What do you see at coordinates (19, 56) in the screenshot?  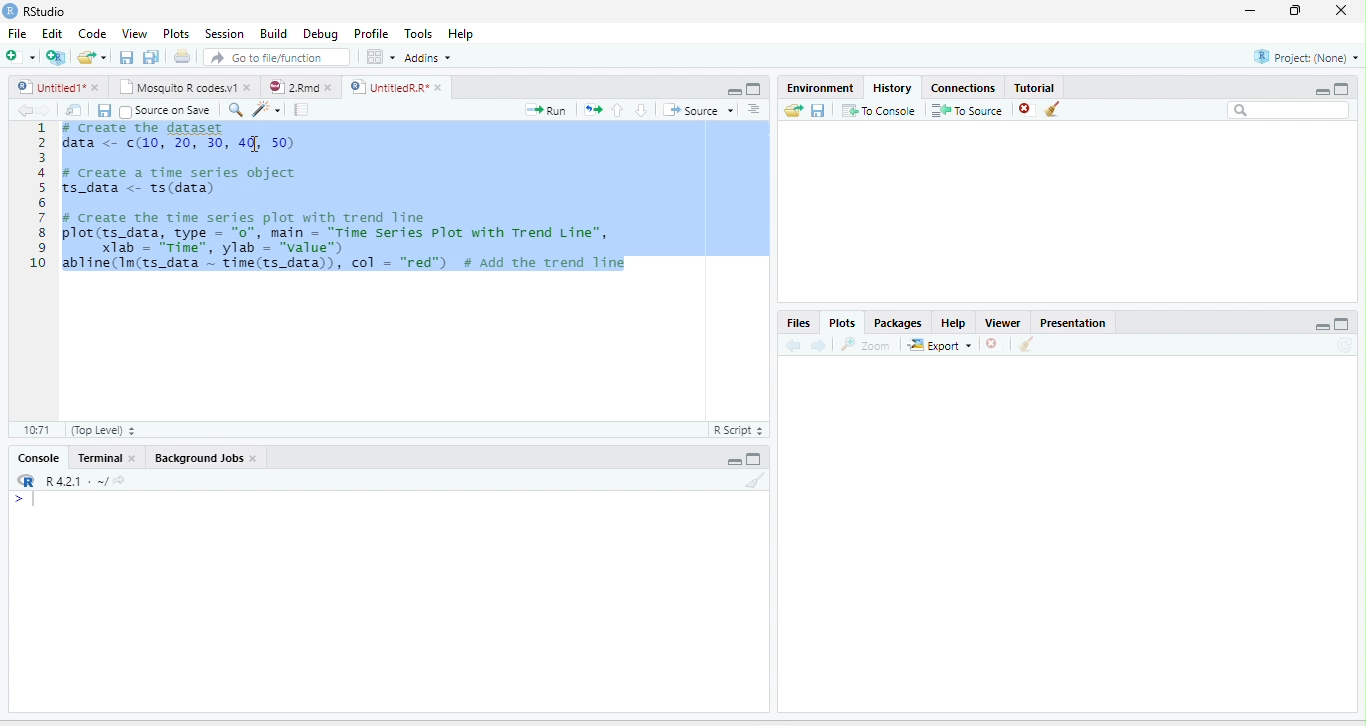 I see `New file` at bounding box center [19, 56].